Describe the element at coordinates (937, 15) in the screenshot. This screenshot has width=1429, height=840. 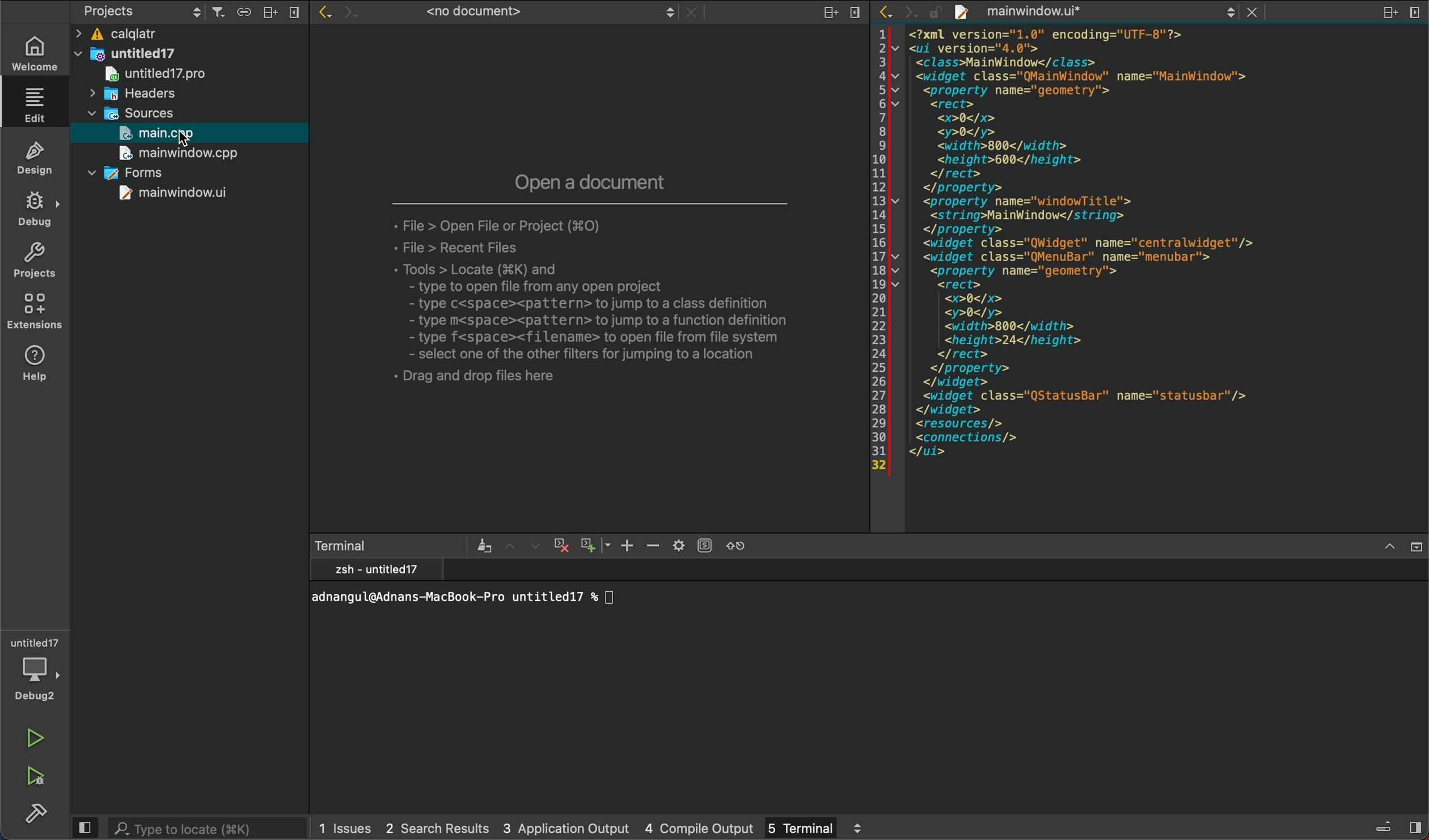
I see `file is writable` at that location.